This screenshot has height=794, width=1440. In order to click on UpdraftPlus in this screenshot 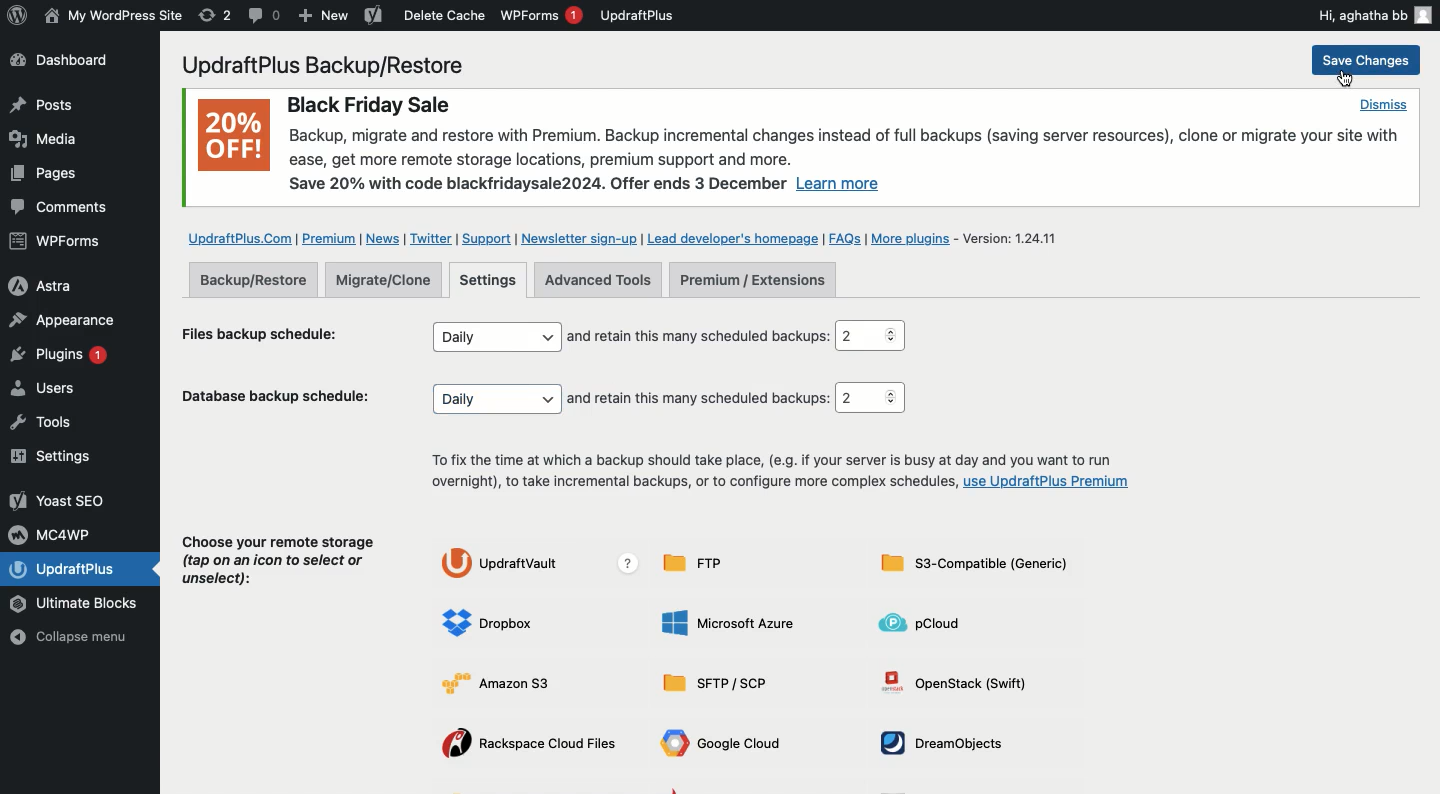, I will do `click(638, 15)`.